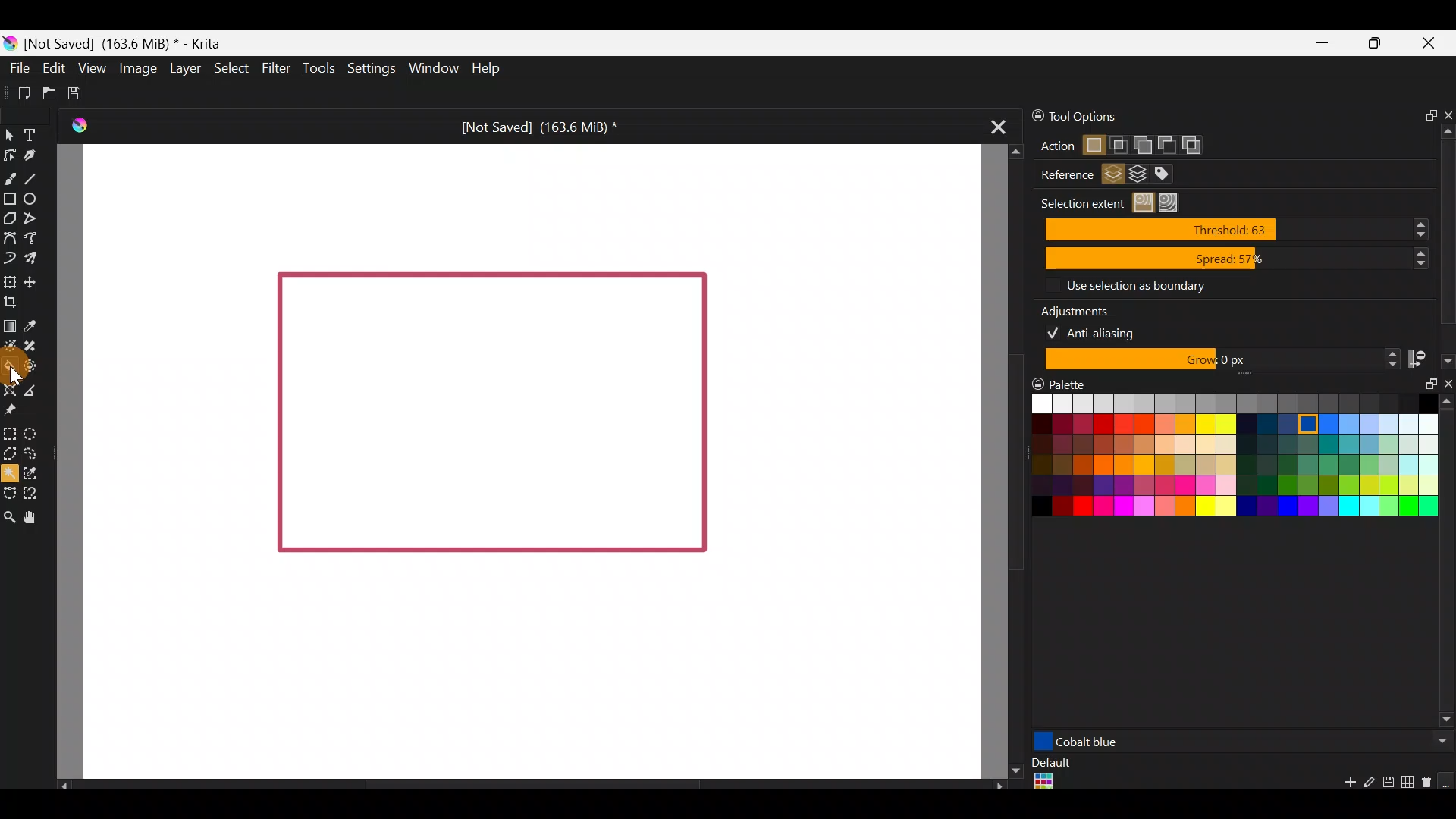  Describe the element at coordinates (1050, 775) in the screenshot. I see `Default` at that location.